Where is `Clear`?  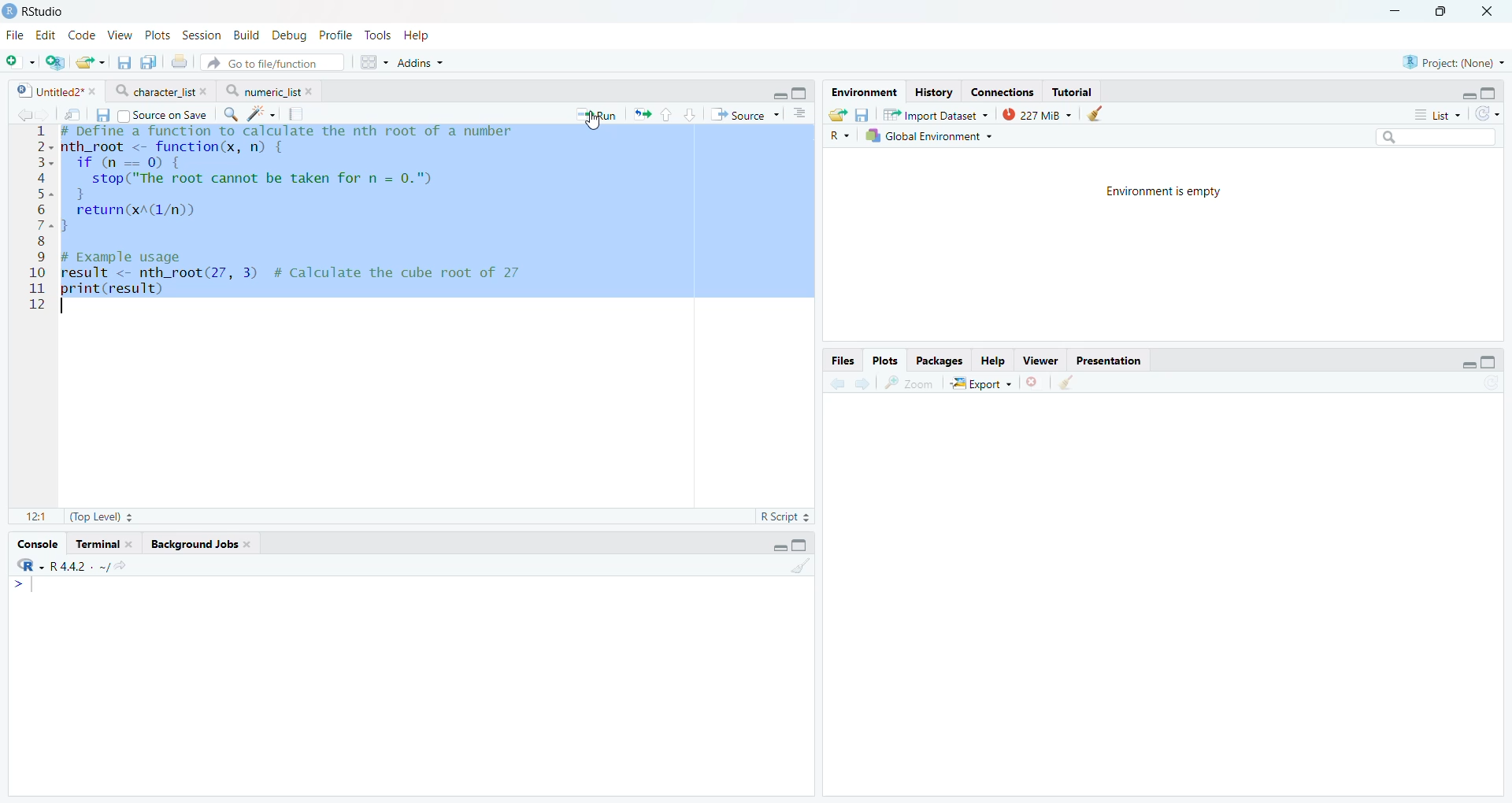 Clear is located at coordinates (800, 566).